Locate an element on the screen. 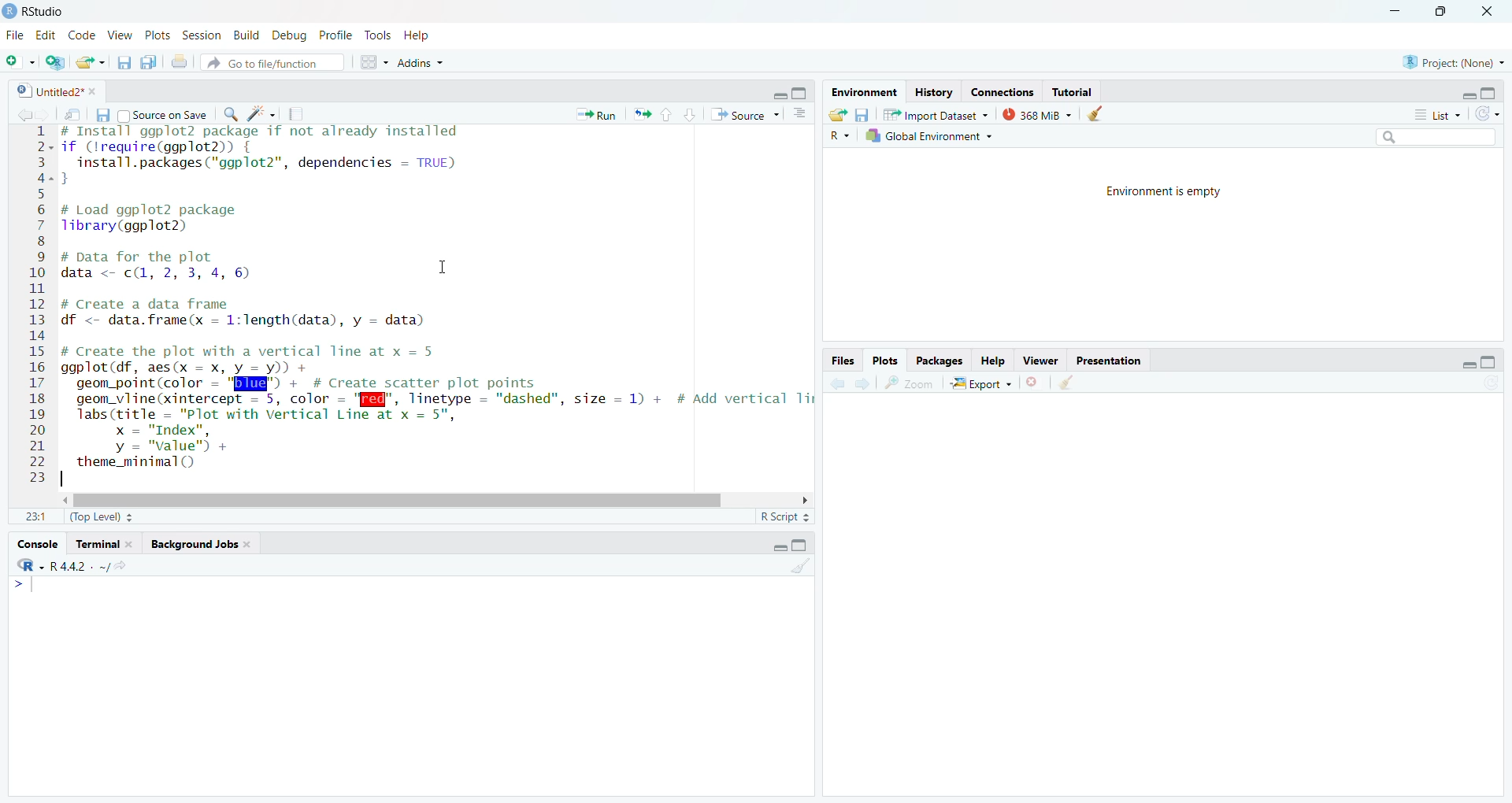  Environment is located at coordinates (864, 90).